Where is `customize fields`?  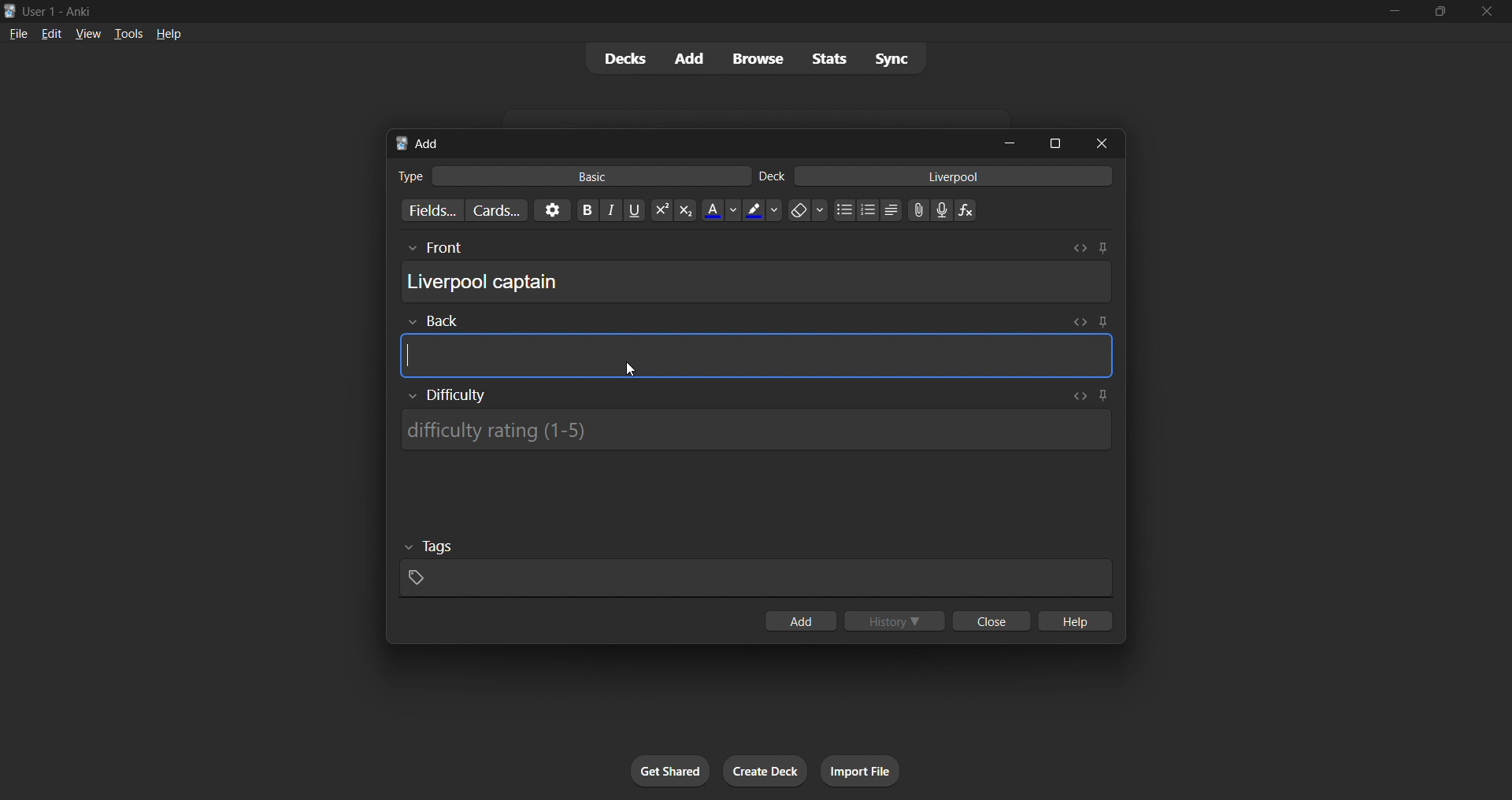 customize fields is located at coordinates (429, 210).